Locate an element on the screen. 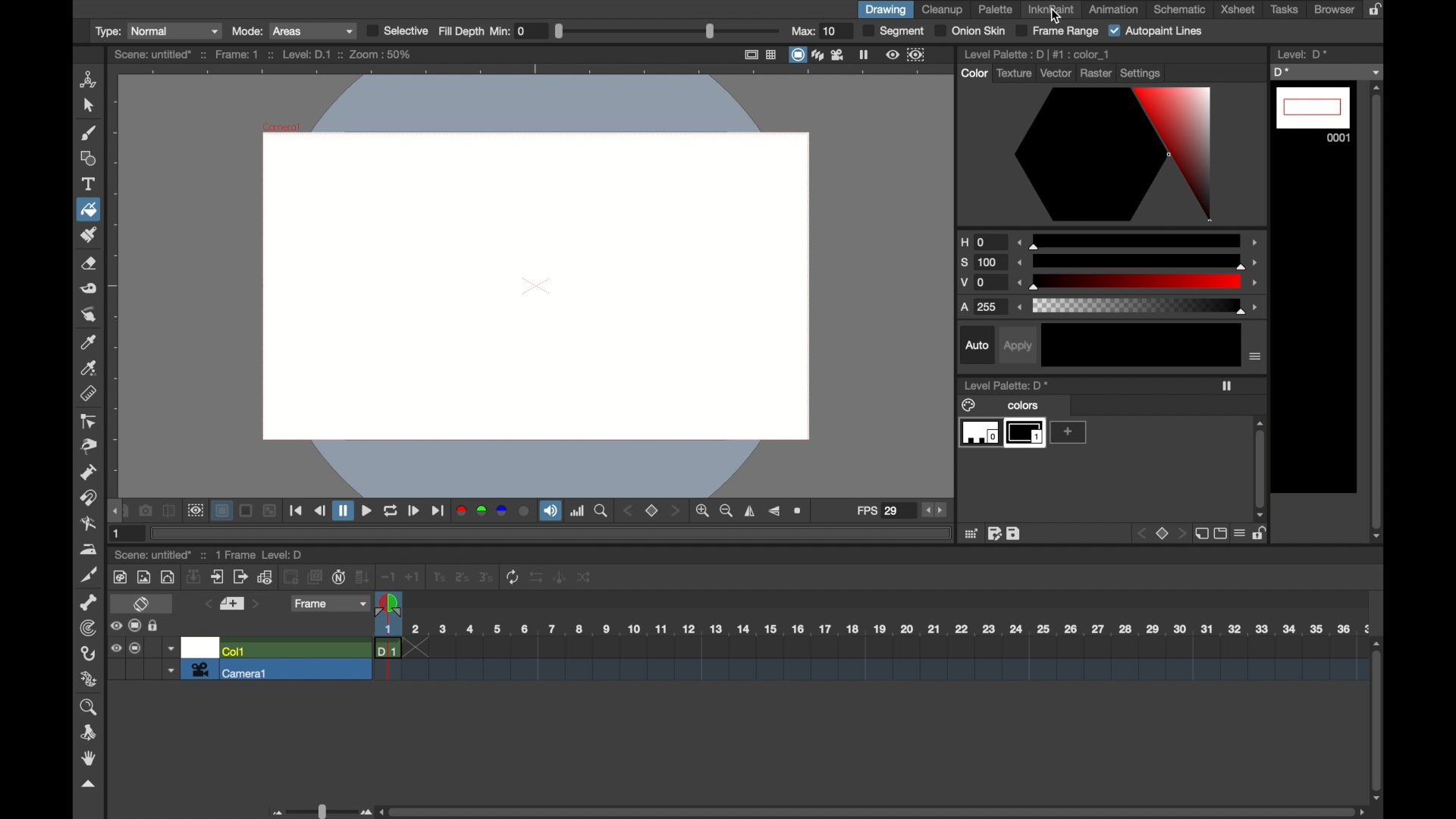 This screenshot has height=819, width=1456. type is located at coordinates (156, 30).